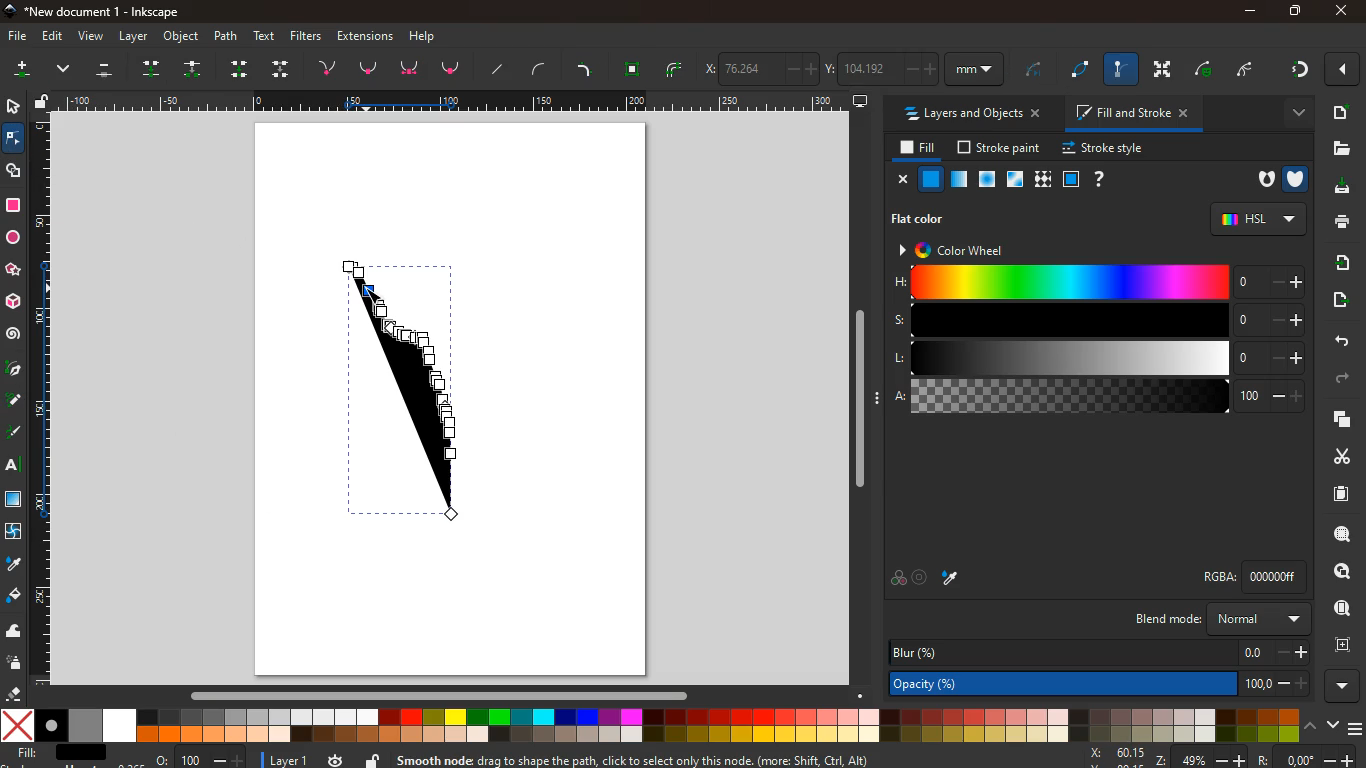 This screenshot has width=1366, height=768. What do you see at coordinates (1338, 534) in the screenshot?
I see `search` at bounding box center [1338, 534].